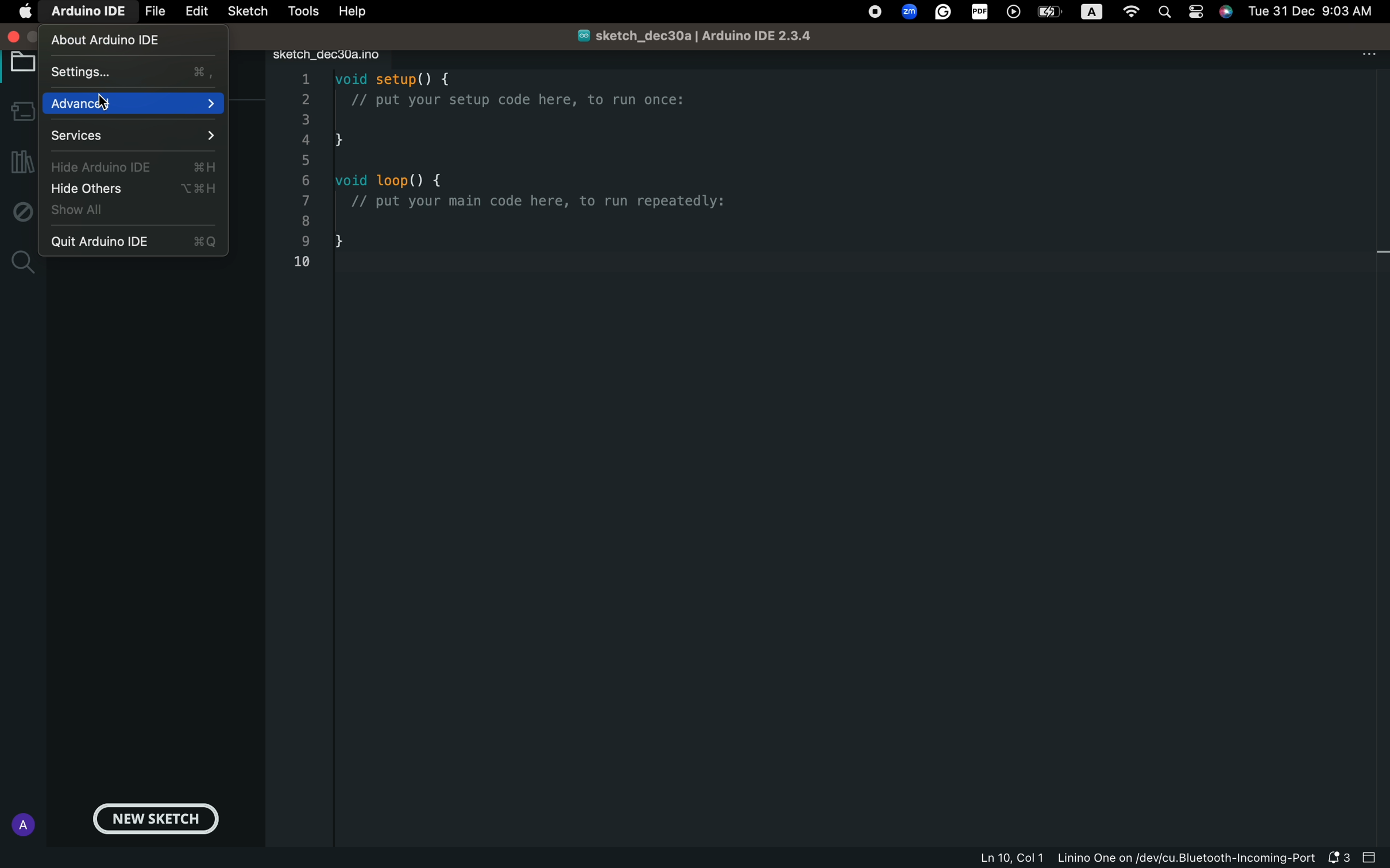 The width and height of the screenshot is (1390, 868). Describe the element at coordinates (247, 12) in the screenshot. I see `sketch` at that location.